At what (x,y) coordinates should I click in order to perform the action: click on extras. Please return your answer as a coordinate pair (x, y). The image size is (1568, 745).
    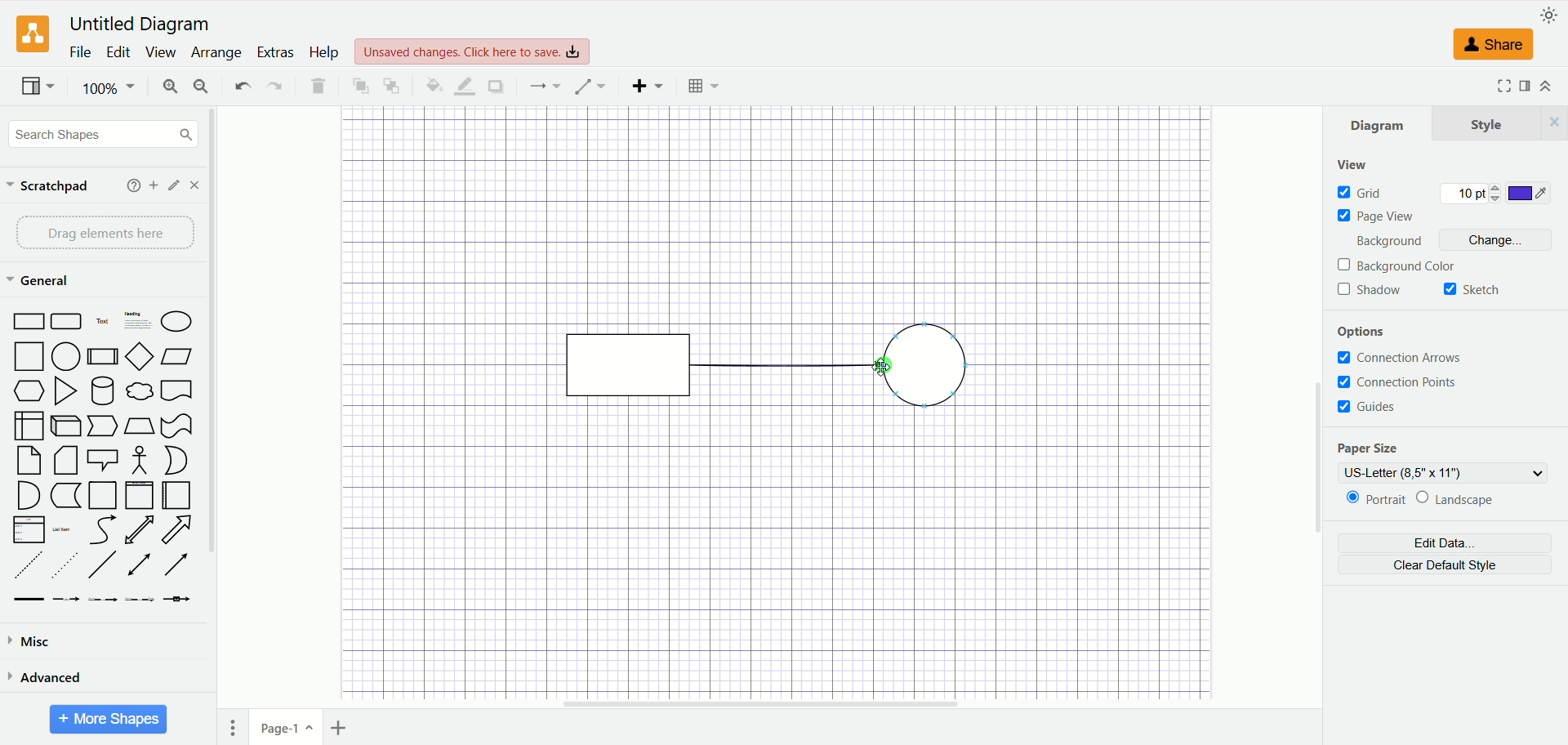
    Looking at the image, I should click on (276, 51).